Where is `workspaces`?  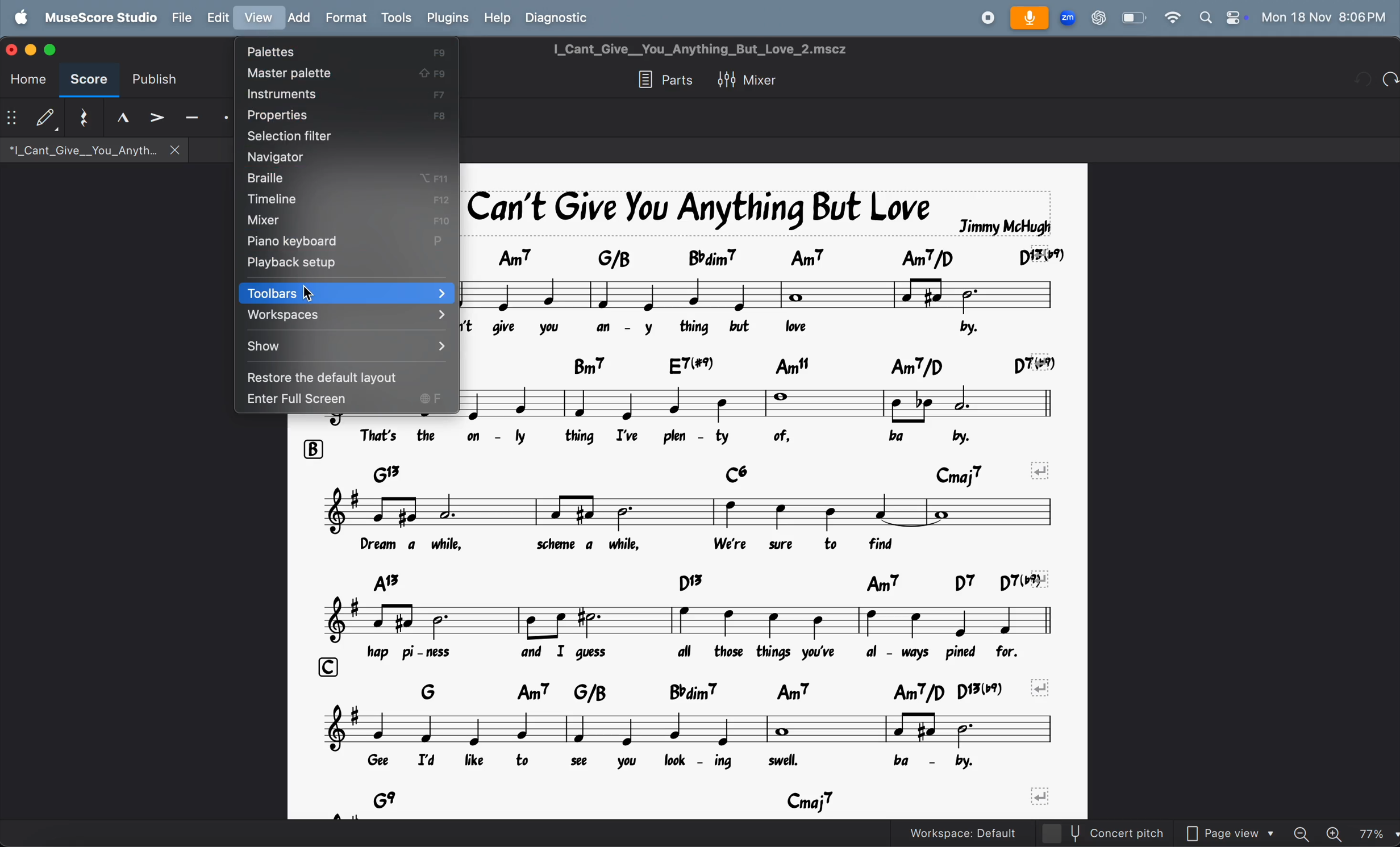 workspaces is located at coordinates (348, 318).